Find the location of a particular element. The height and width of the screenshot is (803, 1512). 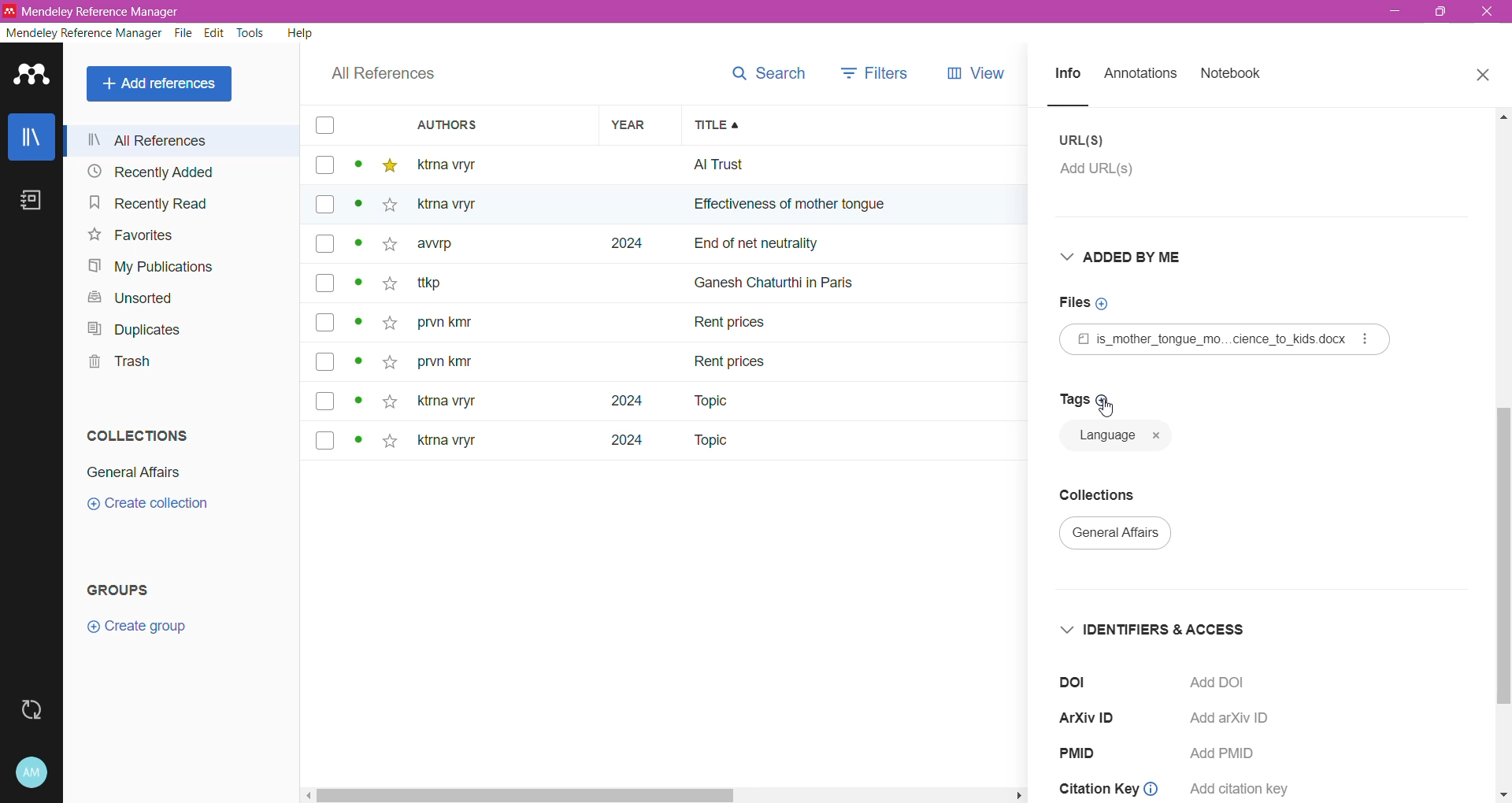

ktna vryt  is located at coordinates (443, 402).